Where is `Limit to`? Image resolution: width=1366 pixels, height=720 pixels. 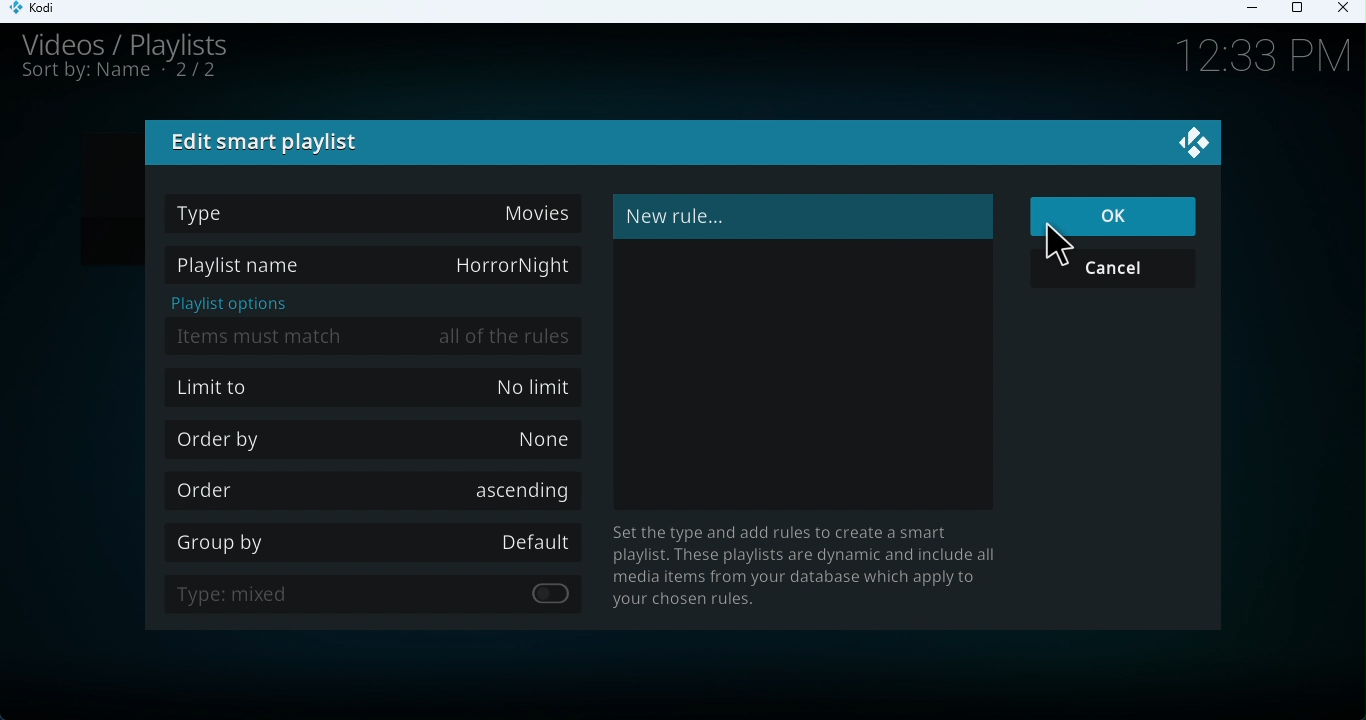 Limit to is located at coordinates (376, 390).